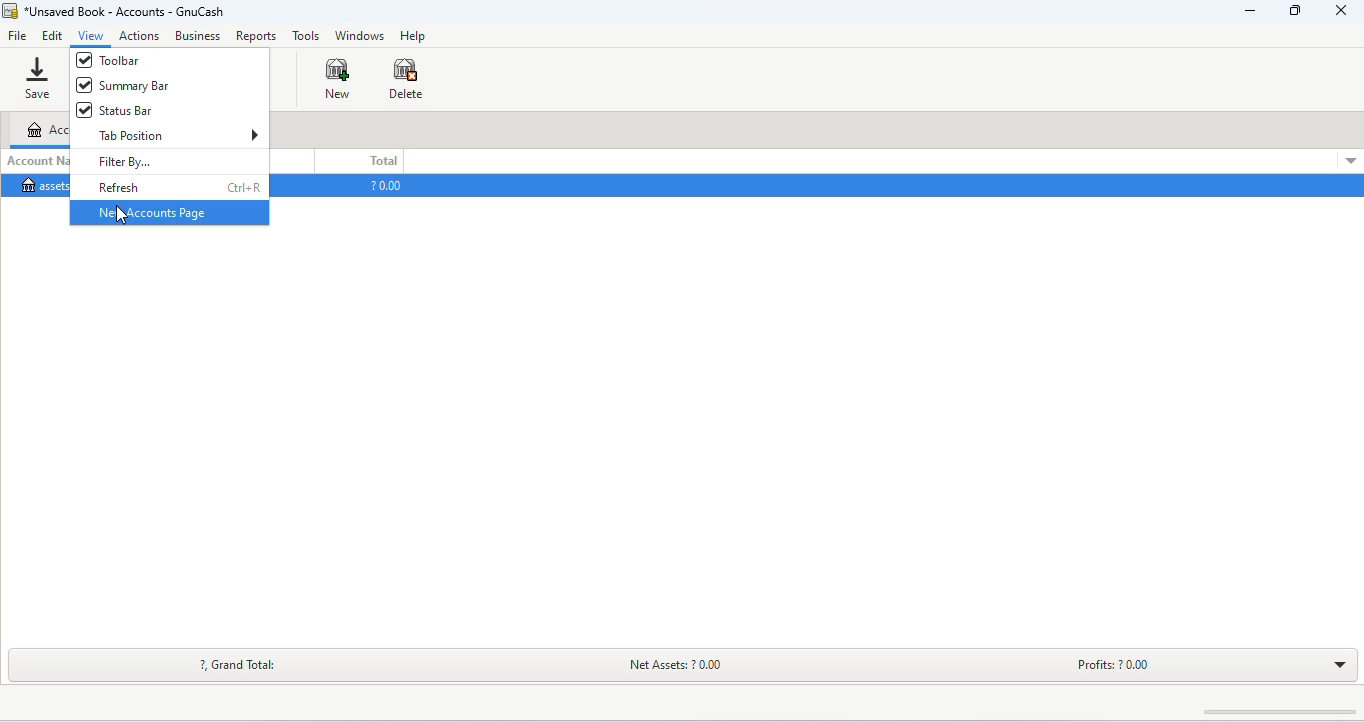  Describe the element at coordinates (692, 663) in the screenshot. I see `net assets: ? 0.00` at that location.